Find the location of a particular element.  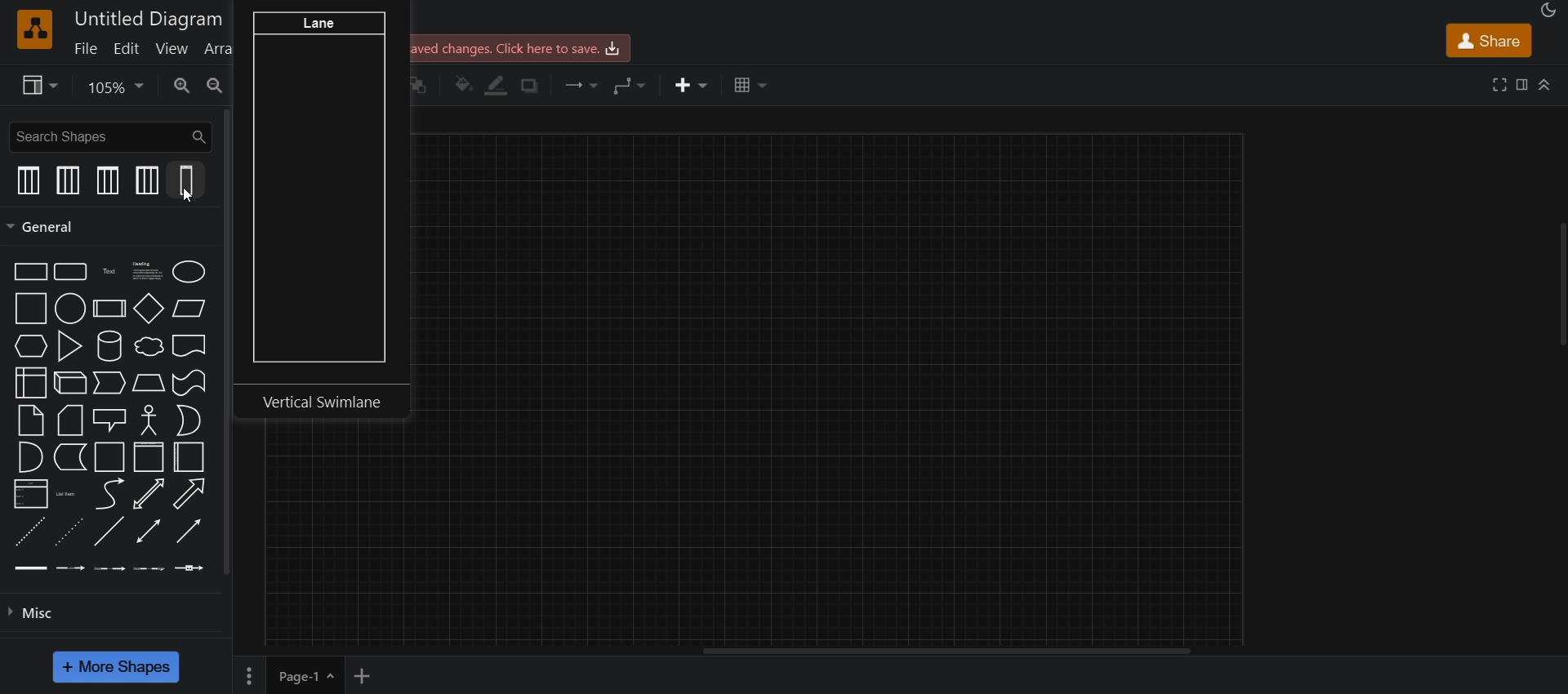

callout is located at coordinates (109, 421).